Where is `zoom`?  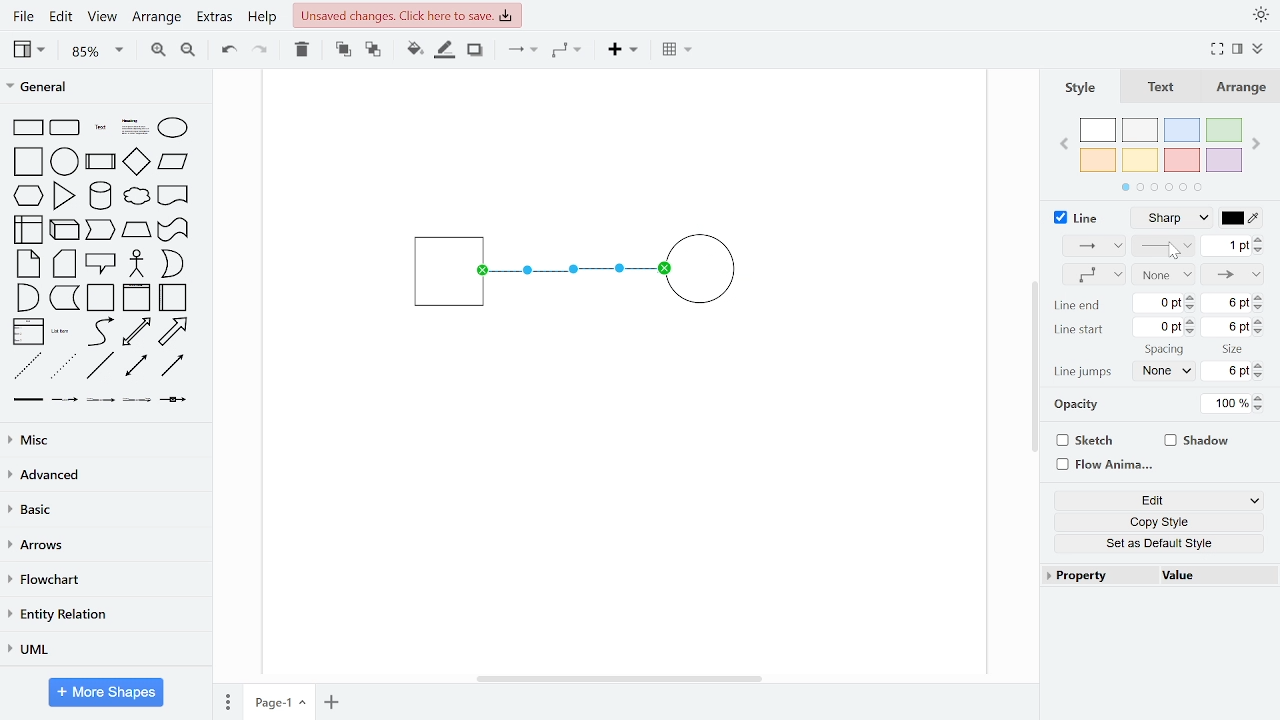 zoom is located at coordinates (98, 50).